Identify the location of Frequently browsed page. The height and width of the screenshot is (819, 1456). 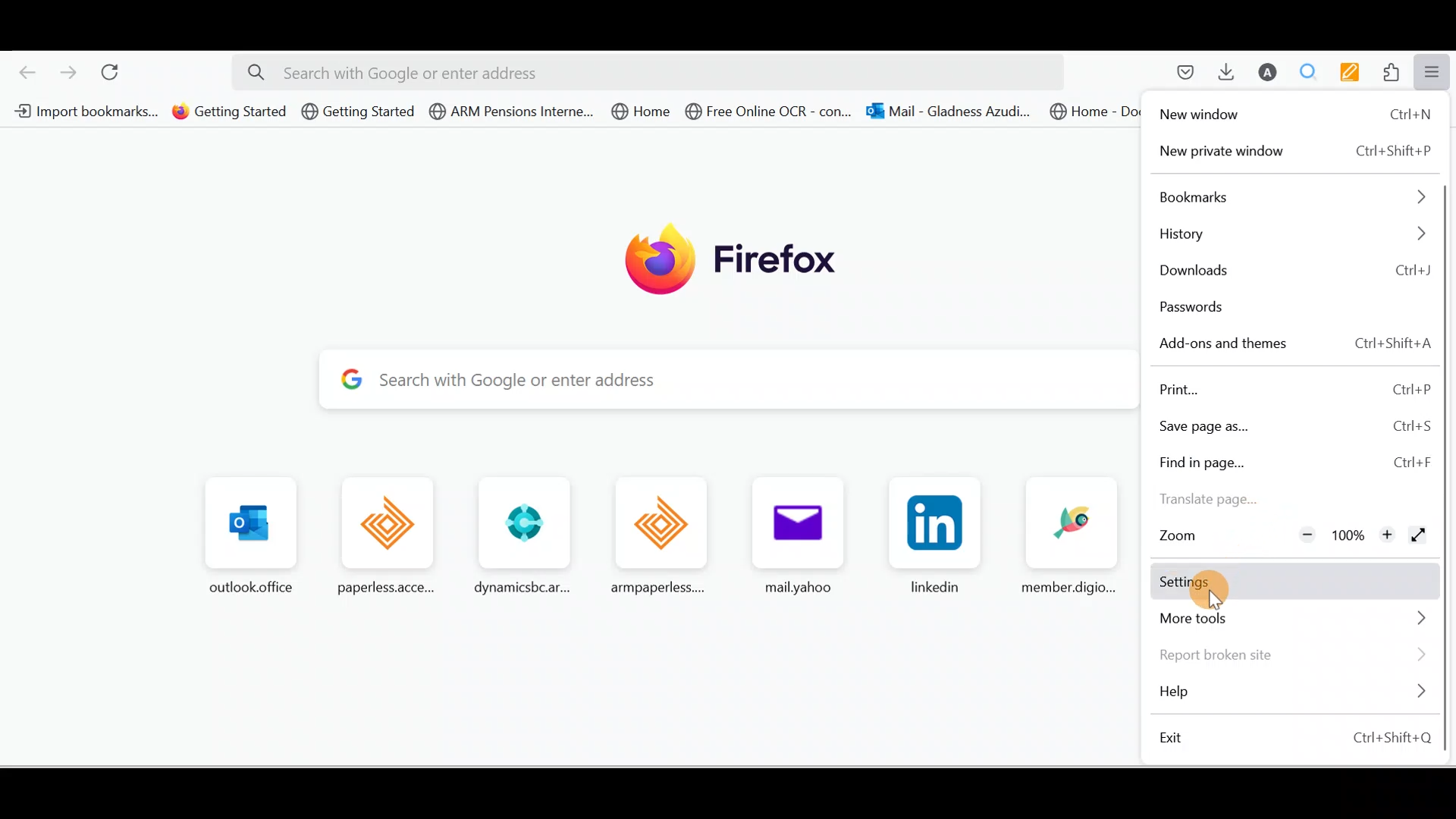
(792, 533).